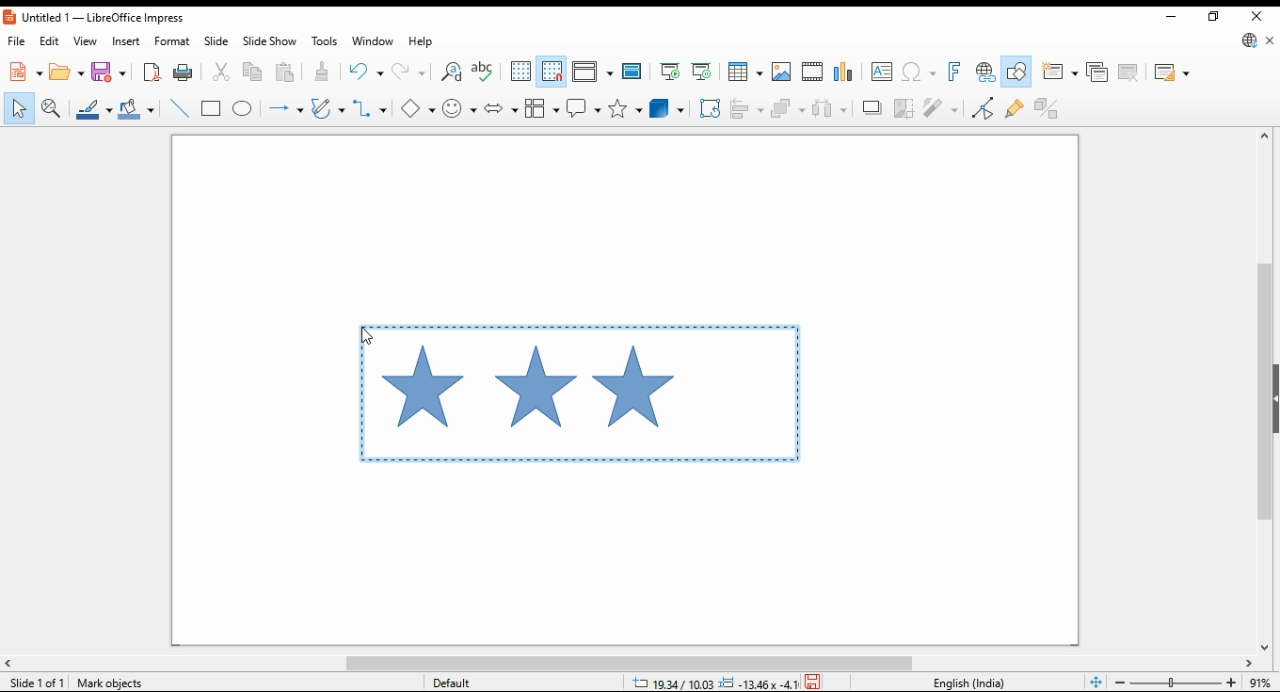  What do you see at coordinates (831, 107) in the screenshot?
I see `select at least three objects to distribute` at bounding box center [831, 107].